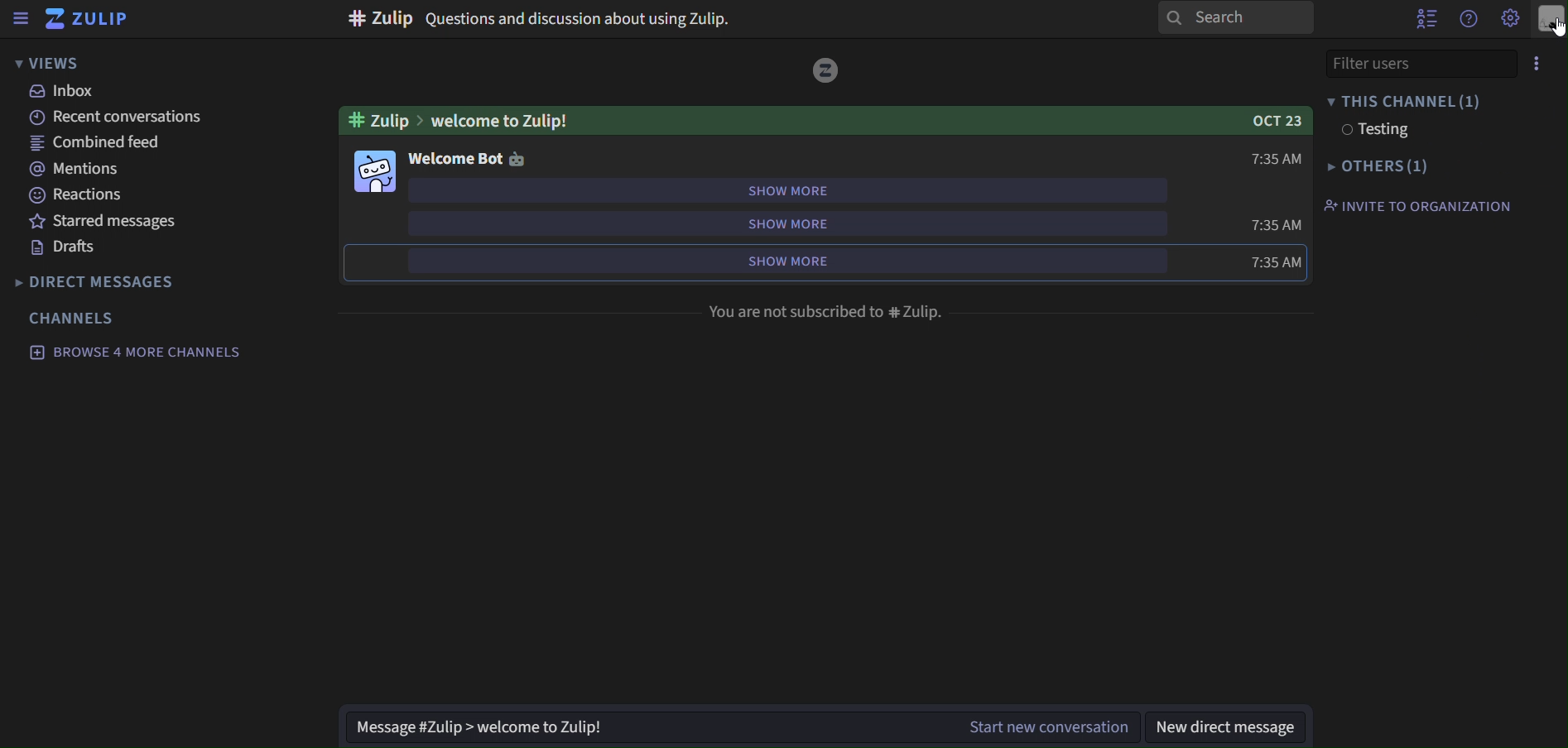 This screenshot has height=748, width=1568. Describe the element at coordinates (1408, 102) in the screenshot. I see `this channel` at that location.